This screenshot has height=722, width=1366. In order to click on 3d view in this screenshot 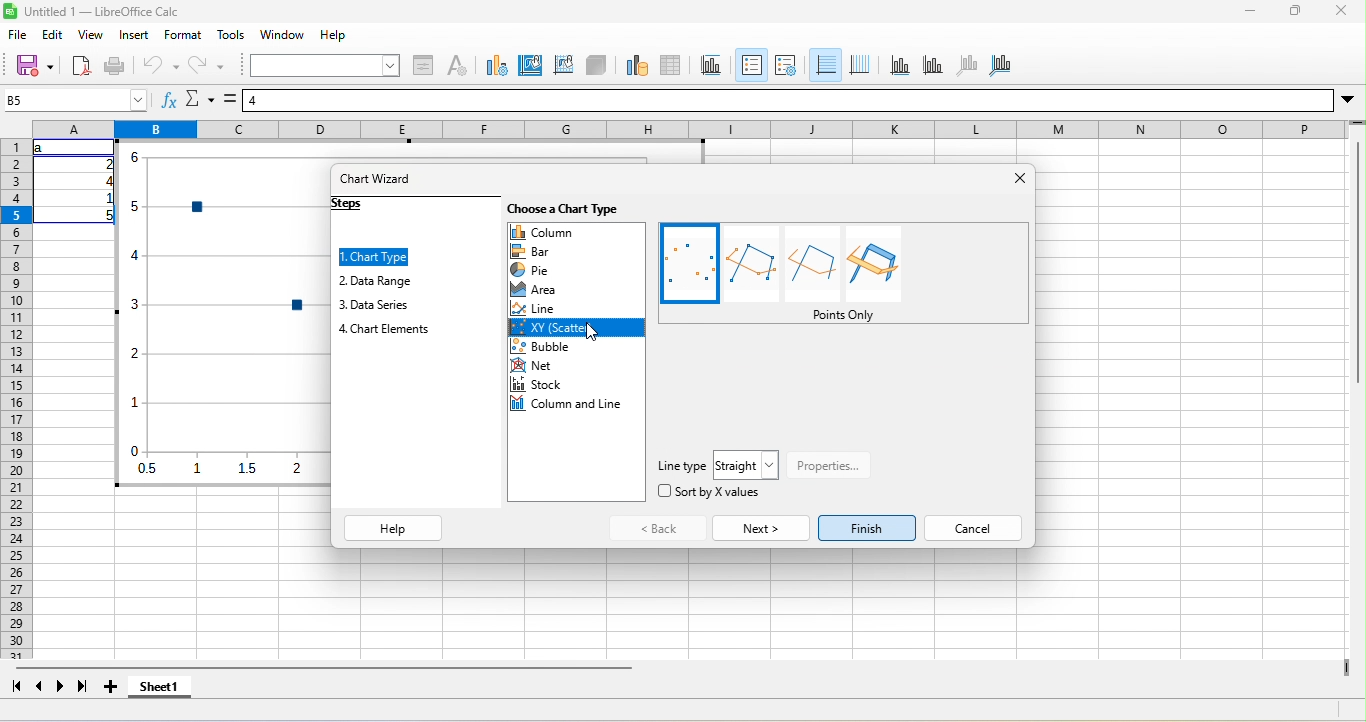, I will do `click(596, 67)`.